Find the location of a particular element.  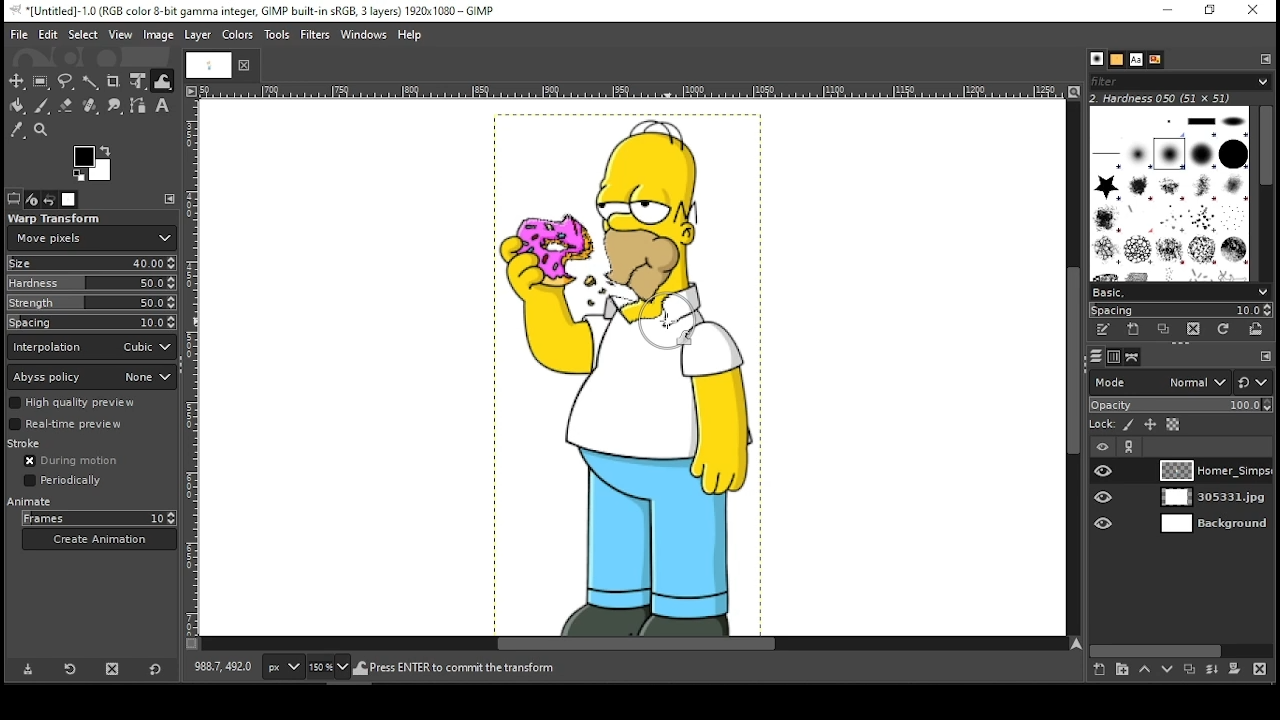

select is located at coordinates (84, 34).